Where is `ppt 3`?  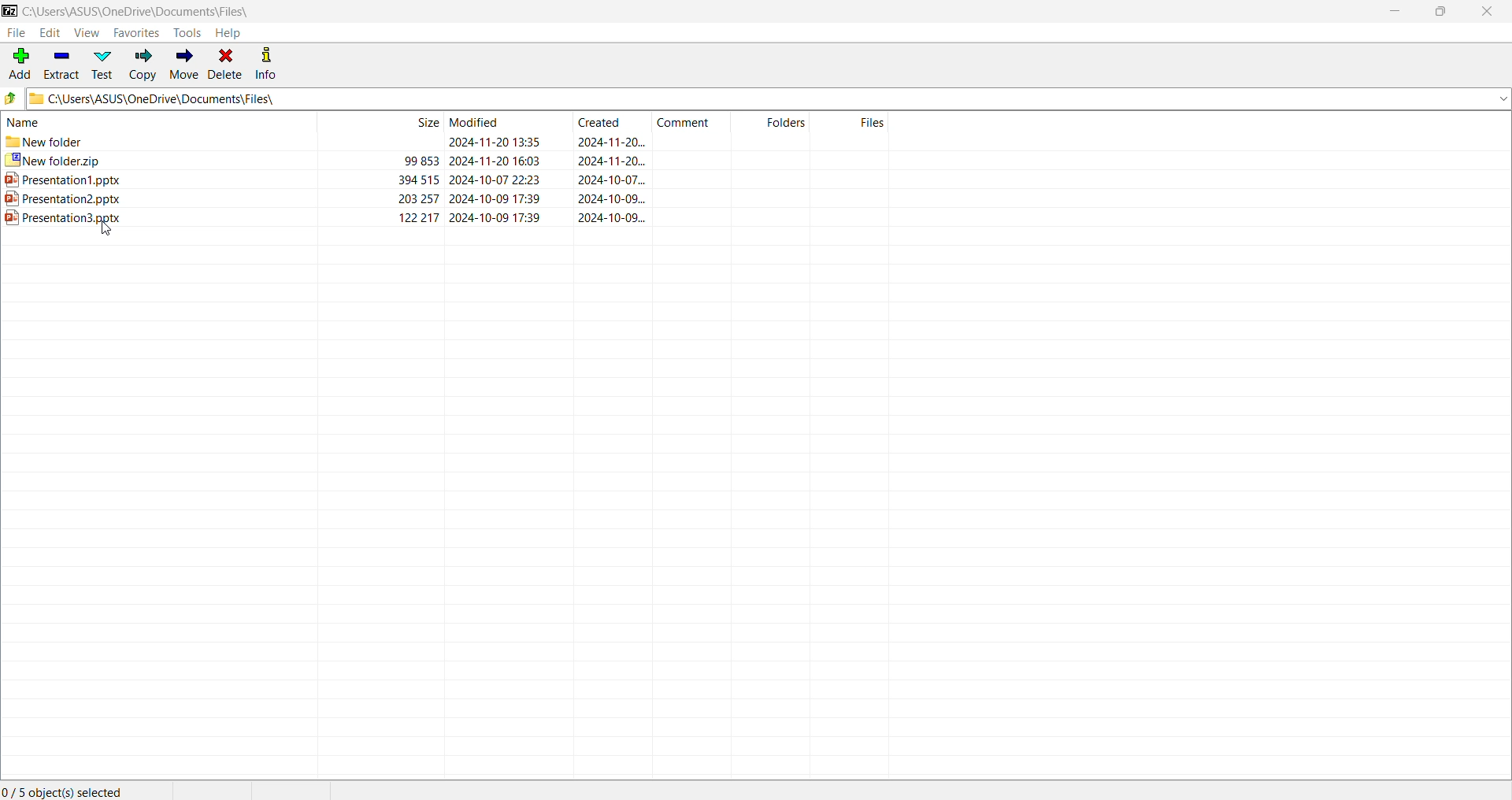
ppt 3 is located at coordinates (445, 217).